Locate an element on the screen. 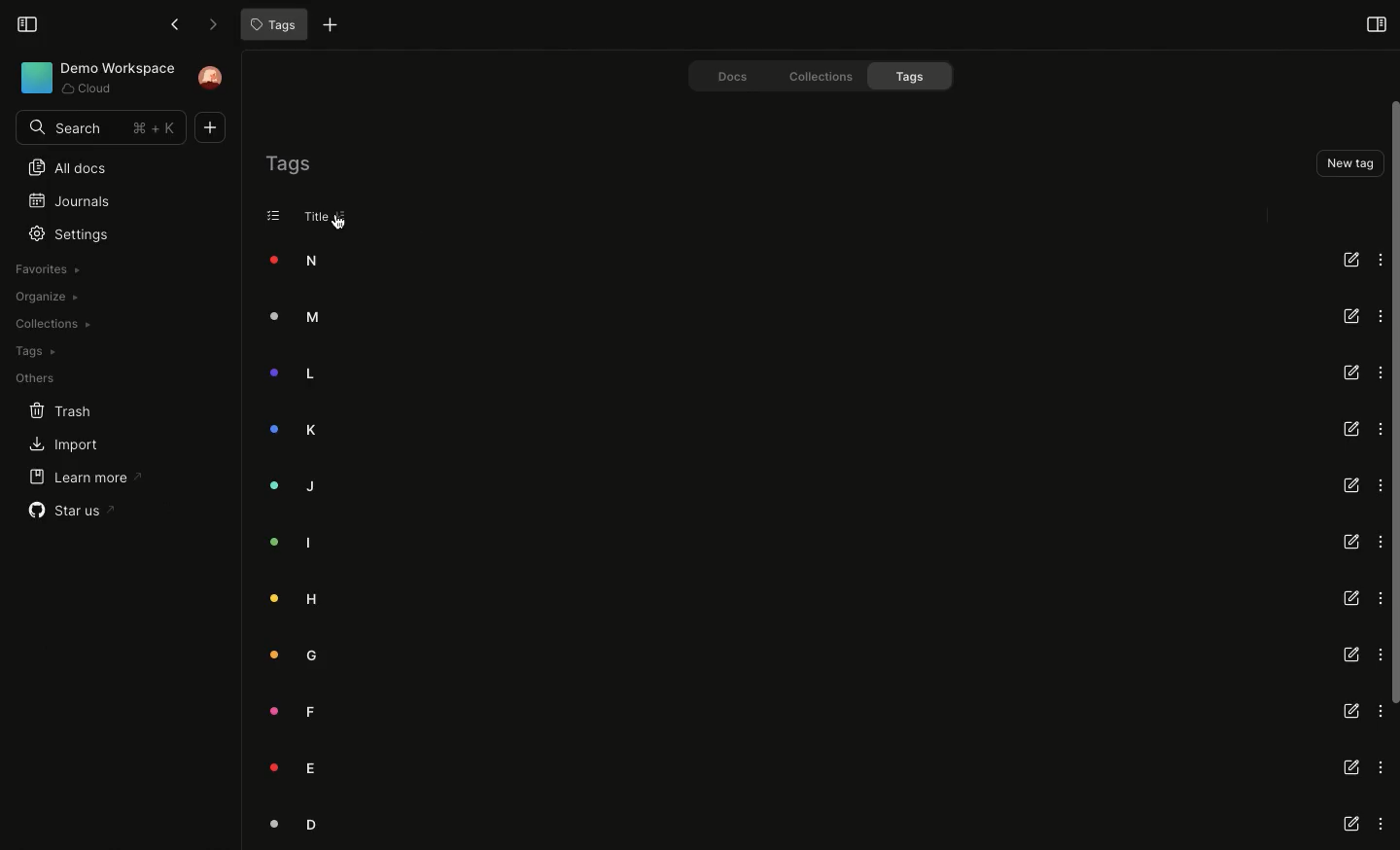  New tab is located at coordinates (326, 27).